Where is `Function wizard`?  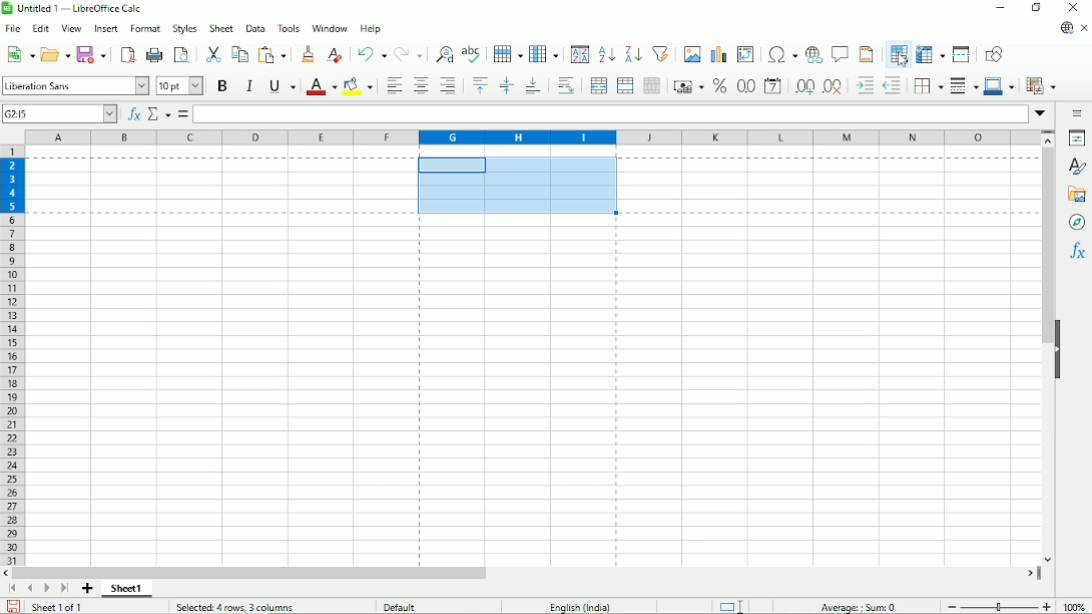 Function wizard is located at coordinates (133, 114).